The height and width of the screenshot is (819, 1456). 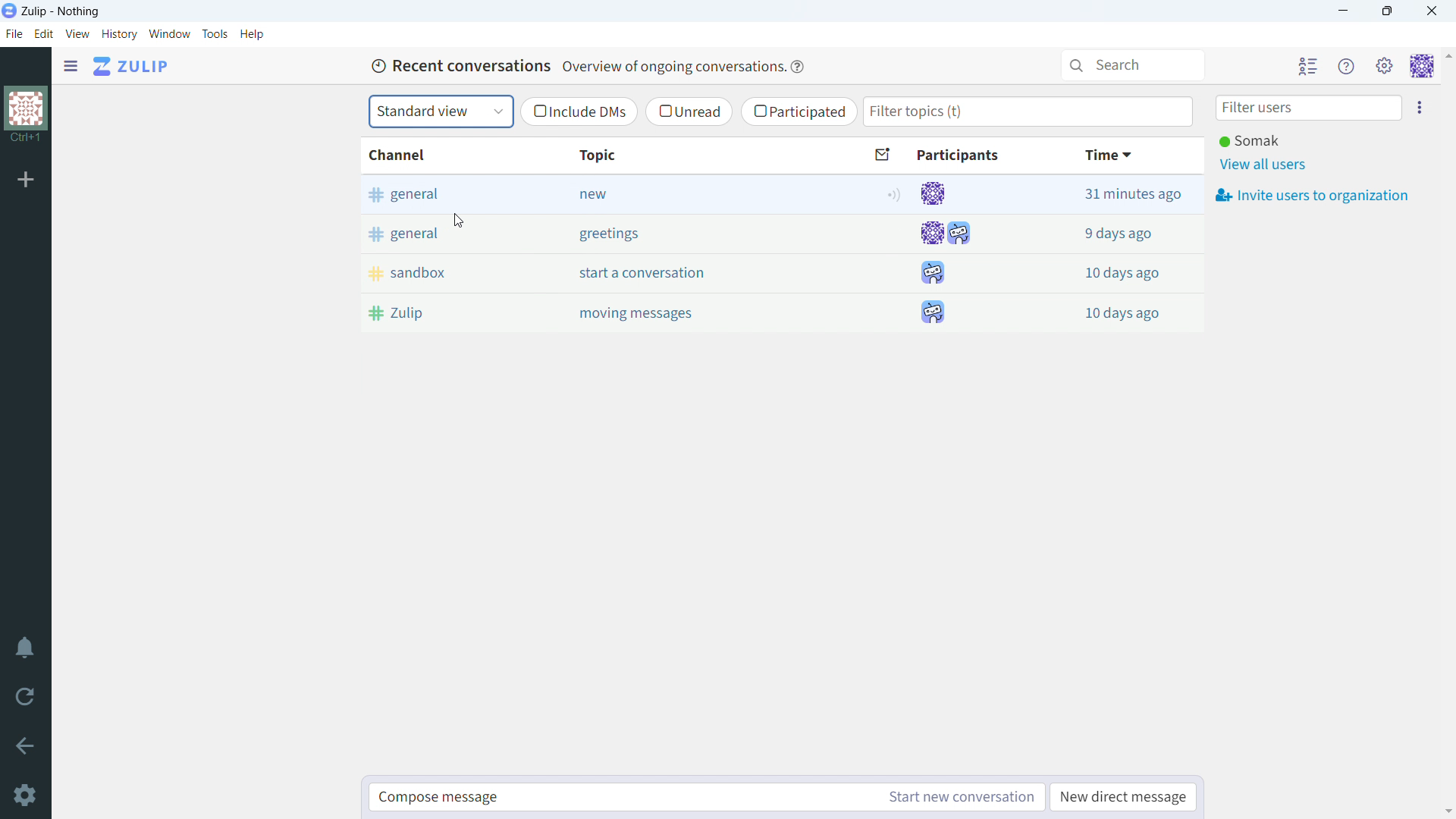 I want to click on general, so click(x=450, y=234).